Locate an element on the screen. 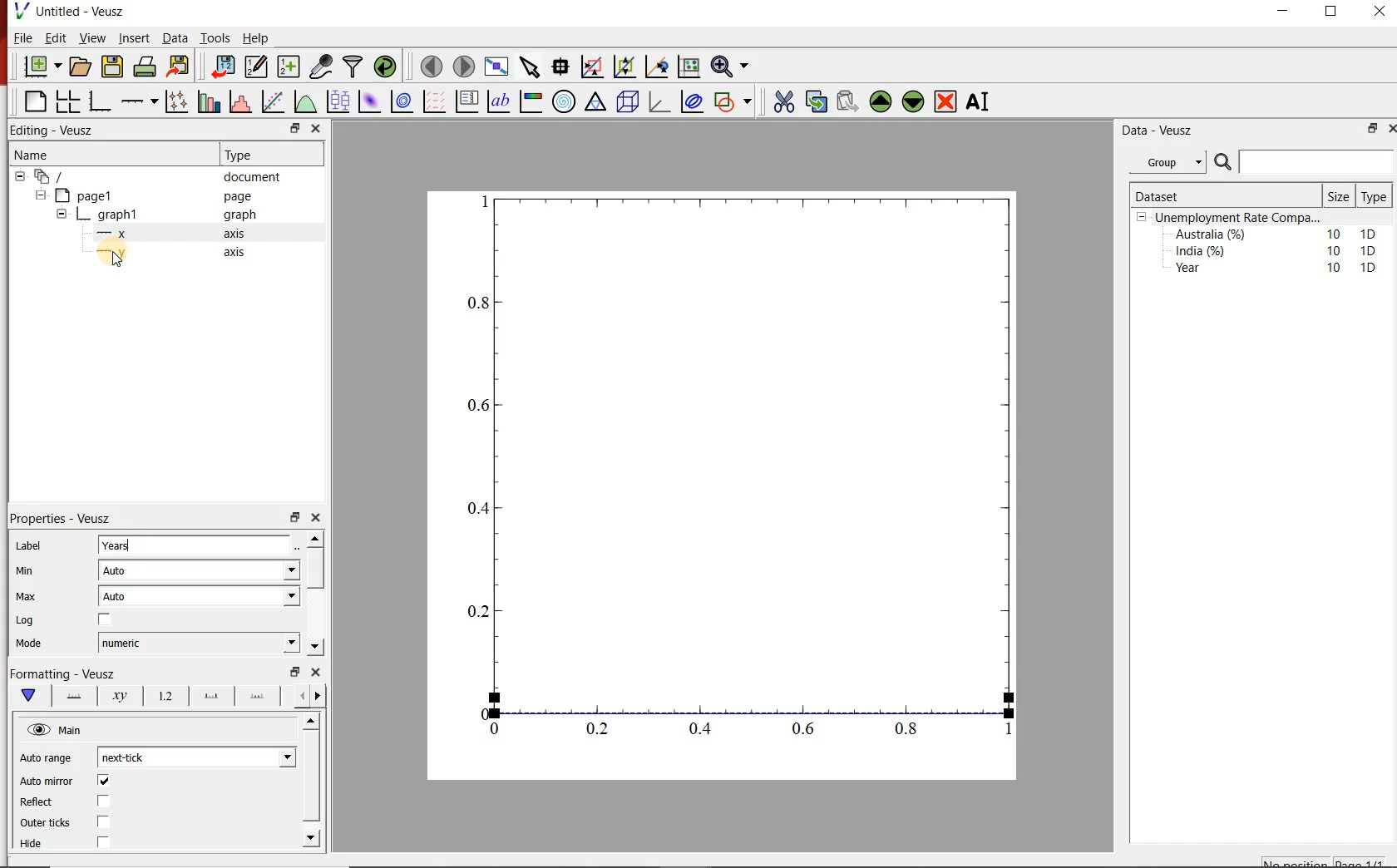 The height and width of the screenshot is (868, 1397). cursor is located at coordinates (121, 260).